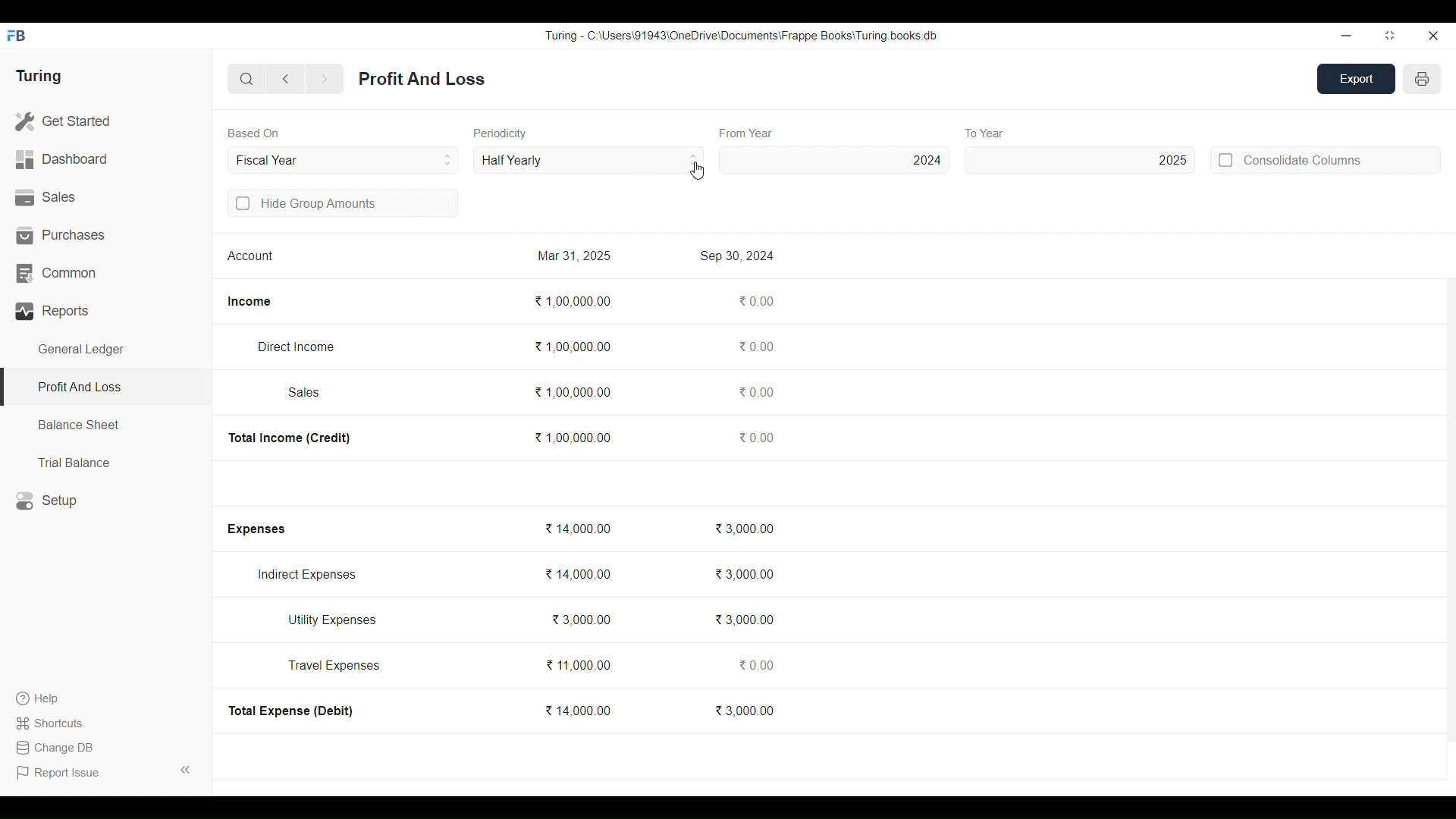 The image size is (1456, 819). What do you see at coordinates (255, 529) in the screenshot?
I see `Expenses` at bounding box center [255, 529].